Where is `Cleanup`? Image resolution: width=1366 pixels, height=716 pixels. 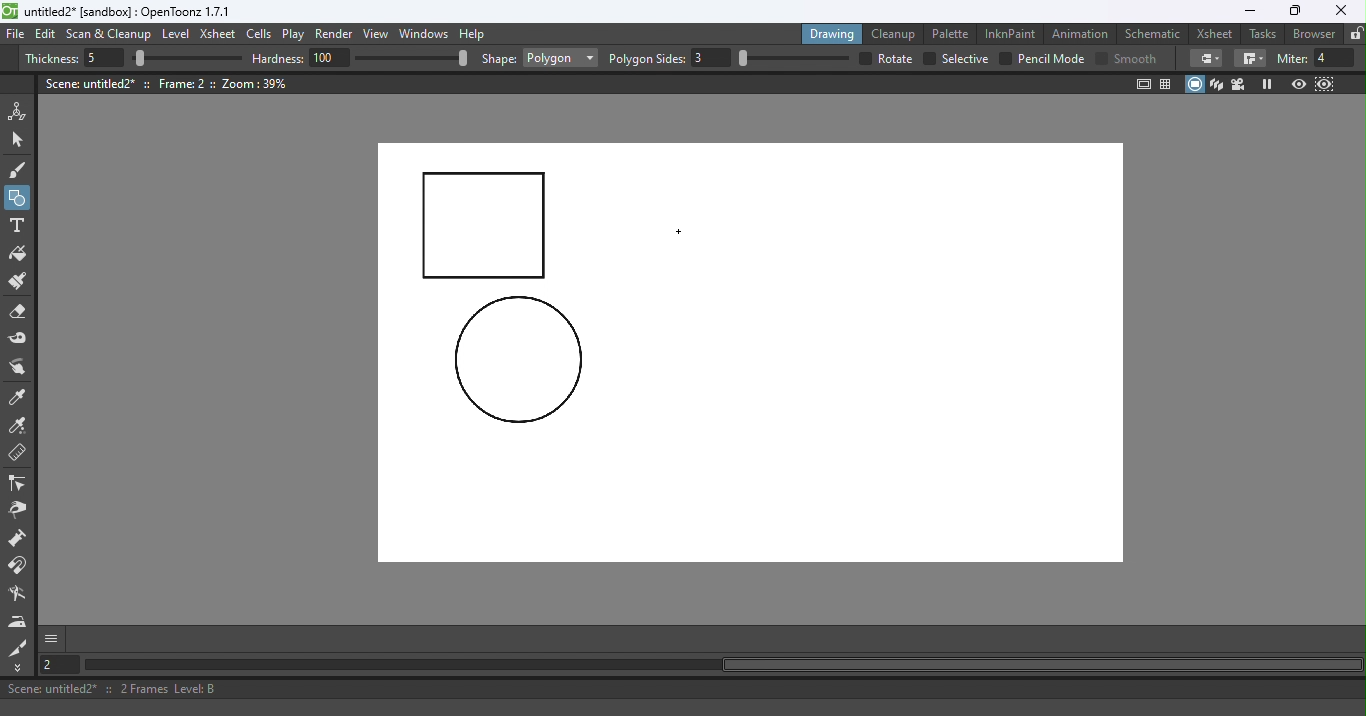
Cleanup is located at coordinates (897, 33).